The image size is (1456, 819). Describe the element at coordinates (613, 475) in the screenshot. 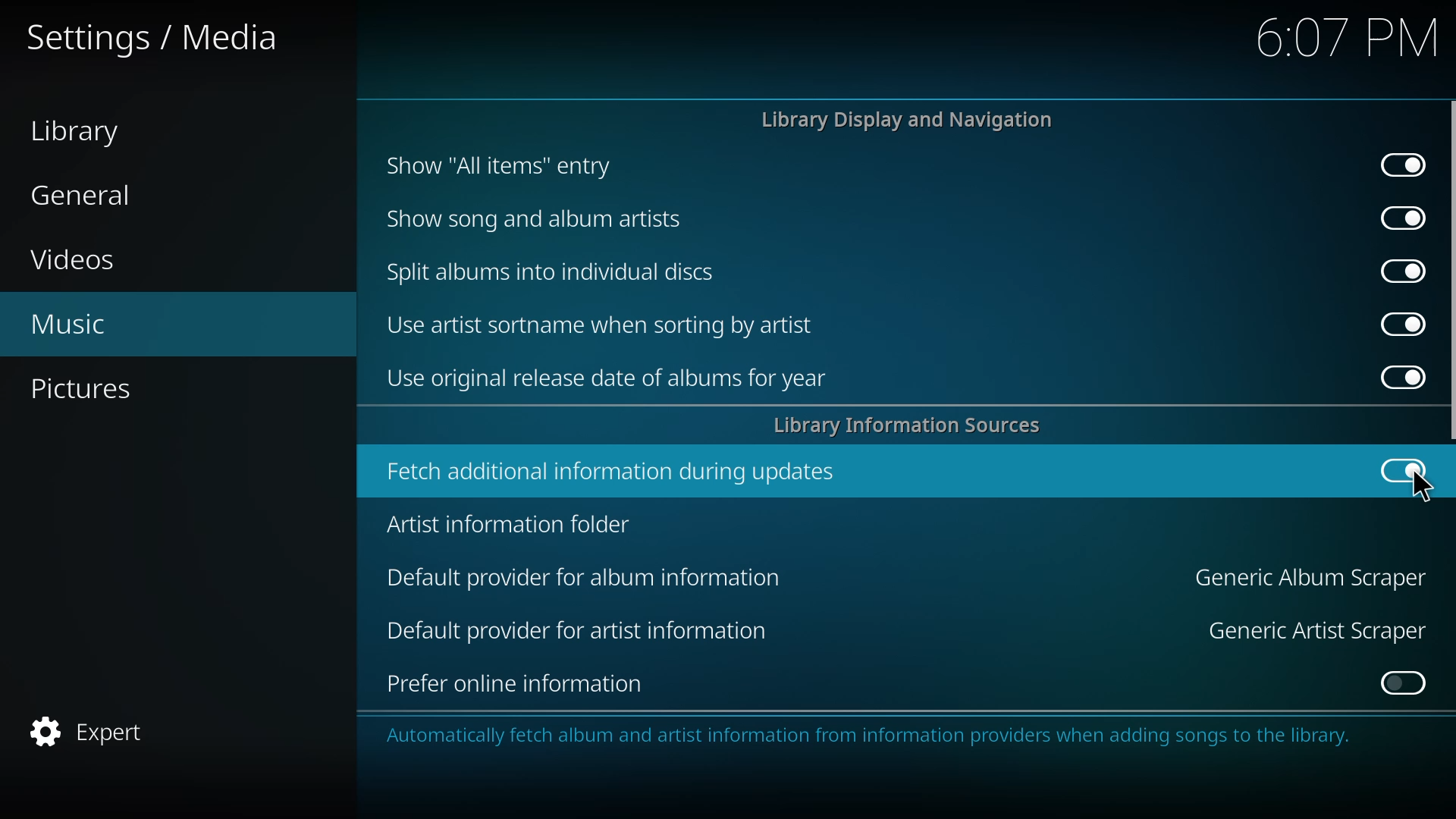

I see `Fetch additional information during updates` at that location.